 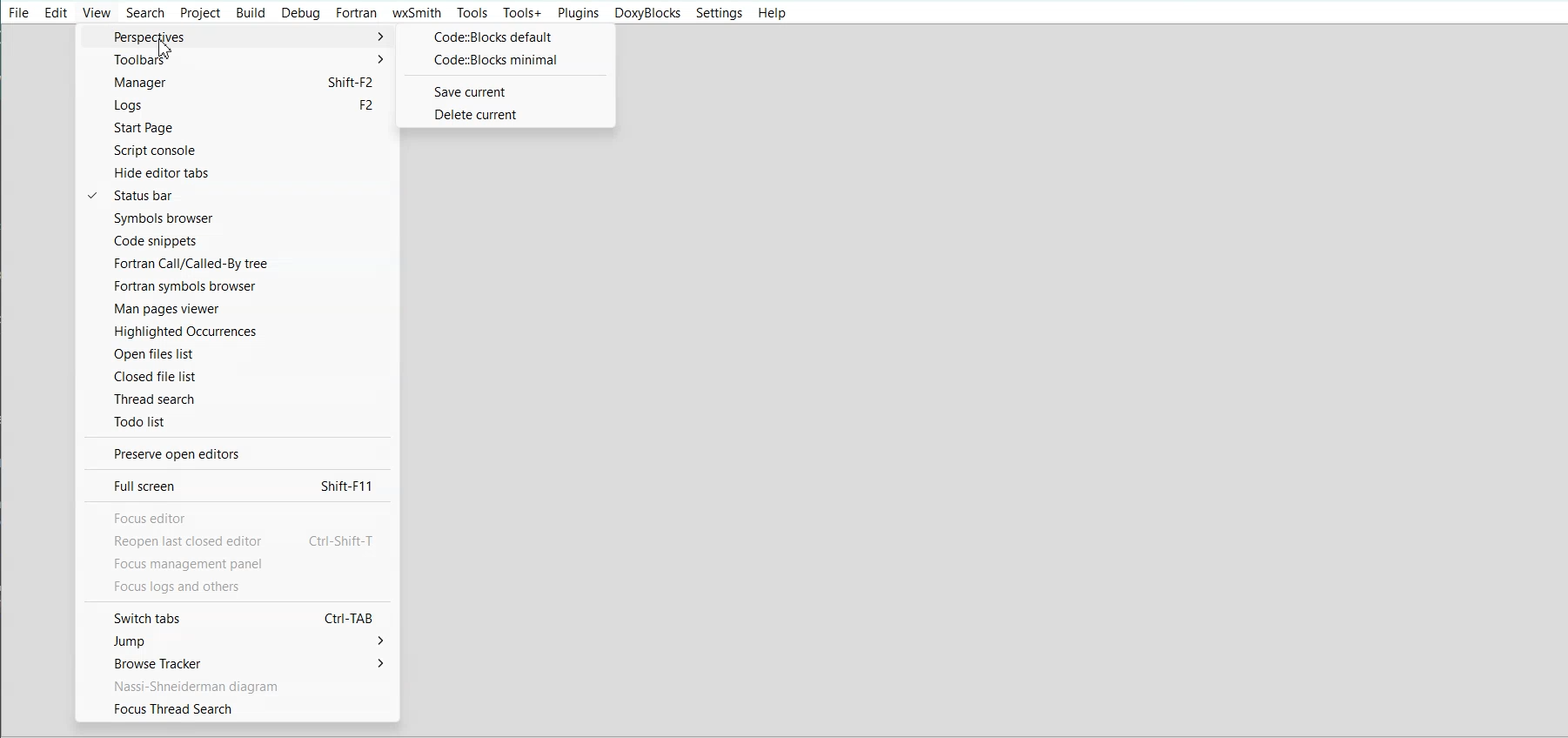 What do you see at coordinates (235, 454) in the screenshot?
I see `Preserve open editor` at bounding box center [235, 454].